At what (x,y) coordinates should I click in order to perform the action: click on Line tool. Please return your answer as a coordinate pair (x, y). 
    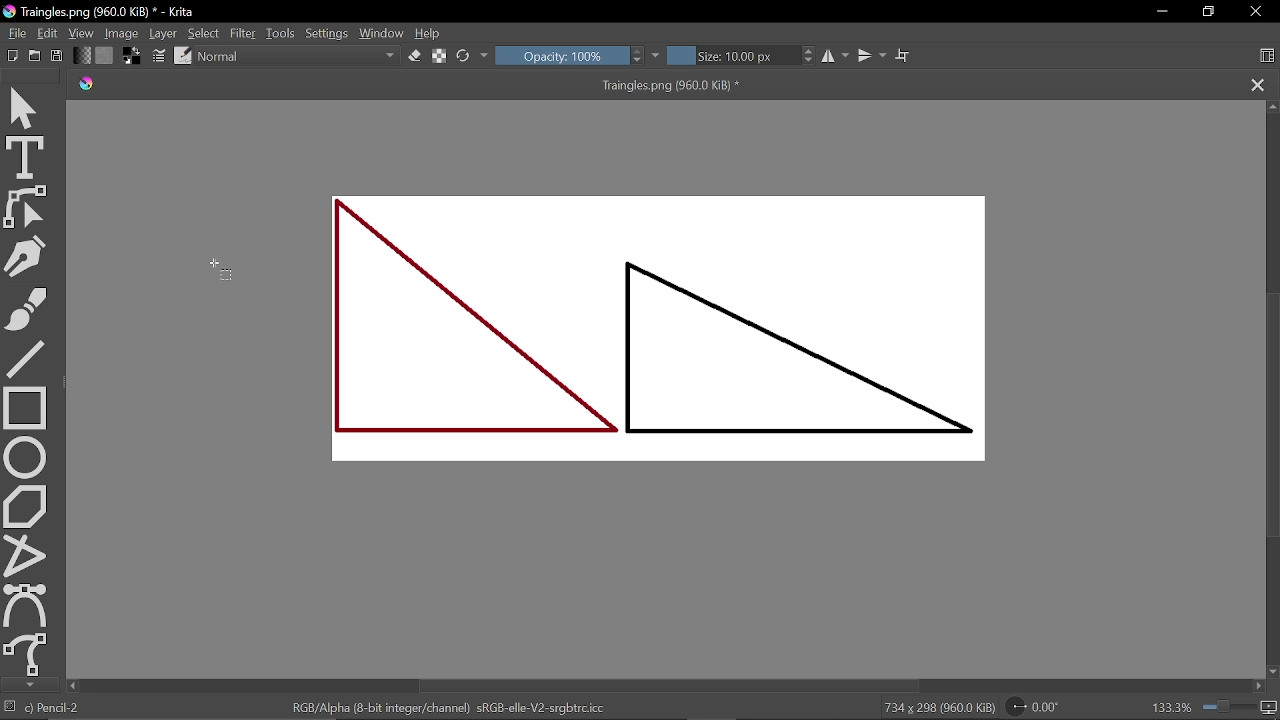
    Looking at the image, I should click on (28, 359).